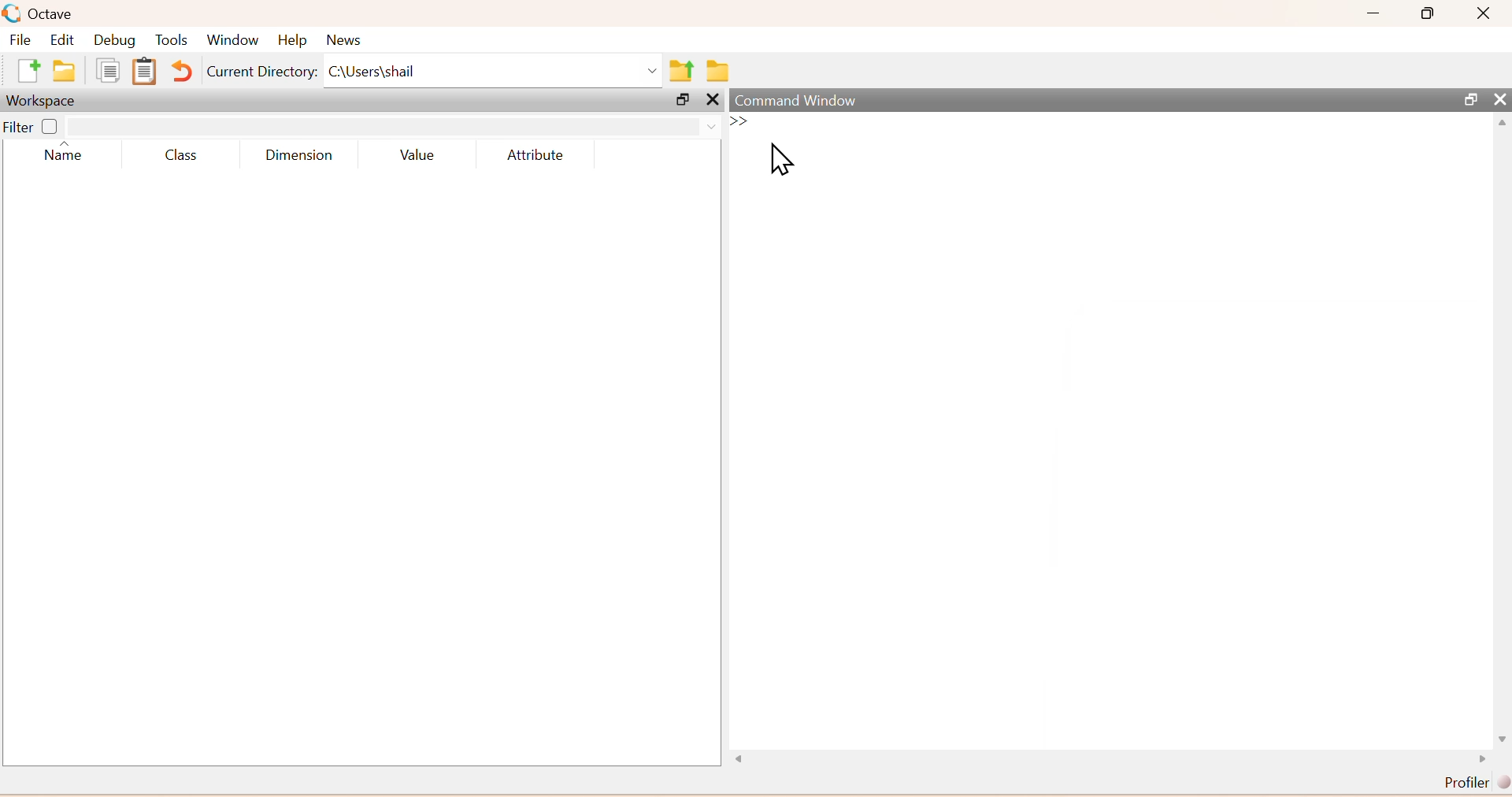  What do you see at coordinates (1500, 124) in the screenshot?
I see `scroll up` at bounding box center [1500, 124].